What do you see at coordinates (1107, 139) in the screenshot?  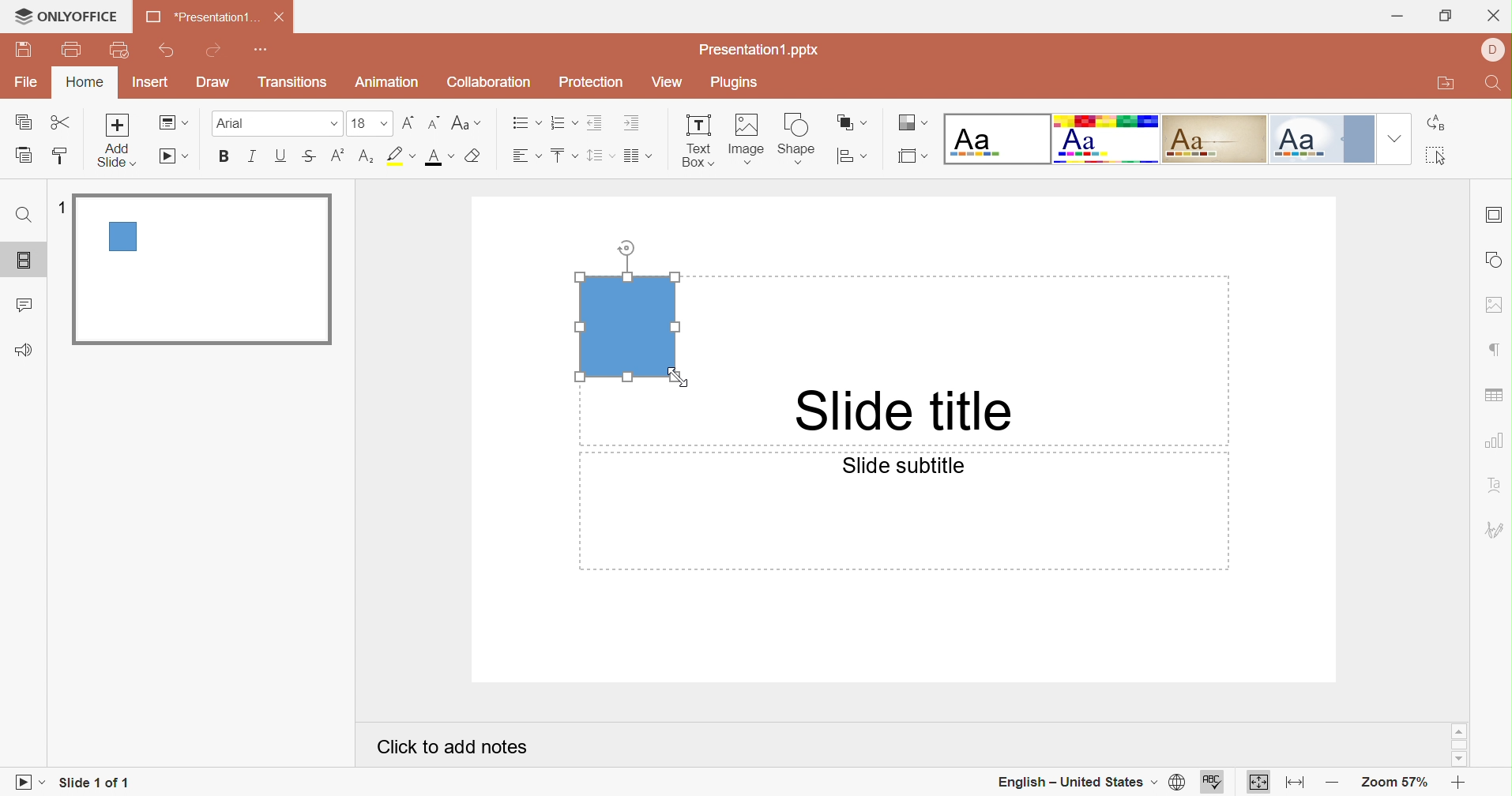 I see `Basic` at bounding box center [1107, 139].